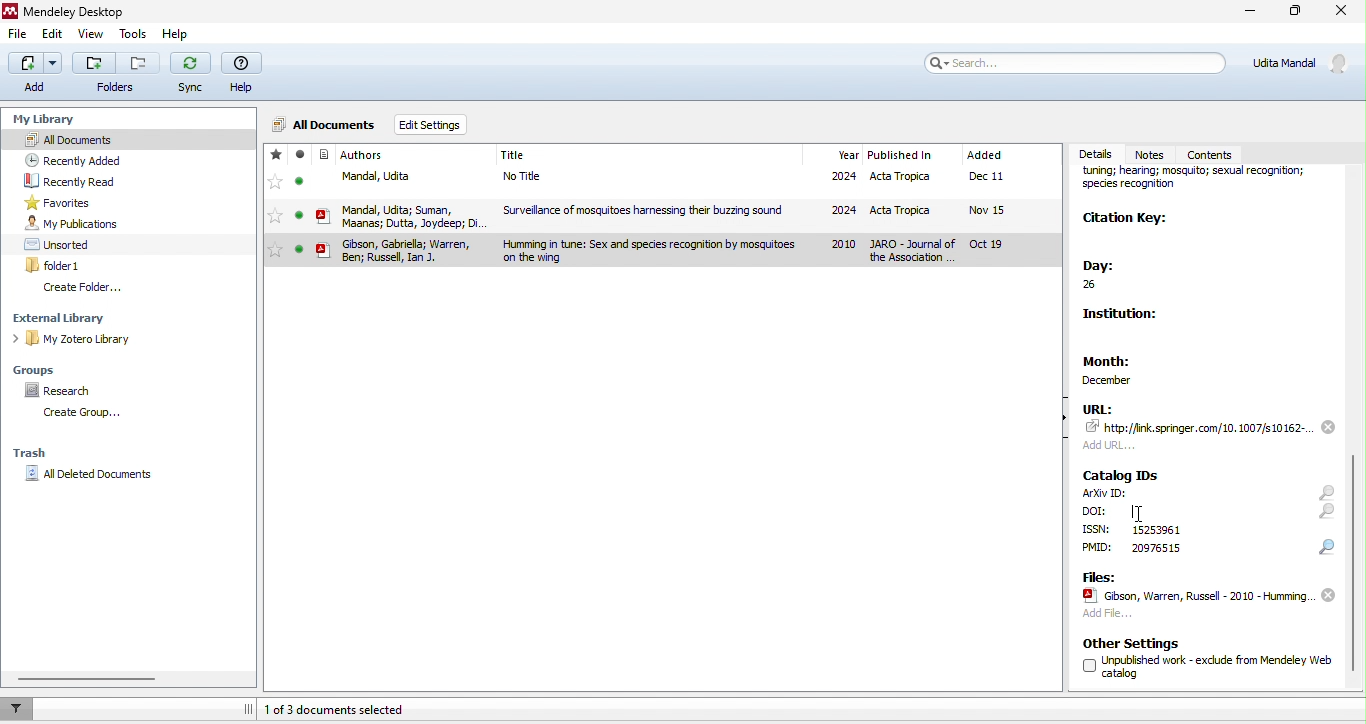 Image resolution: width=1366 pixels, height=724 pixels. What do you see at coordinates (1295, 14) in the screenshot?
I see `maximize` at bounding box center [1295, 14].